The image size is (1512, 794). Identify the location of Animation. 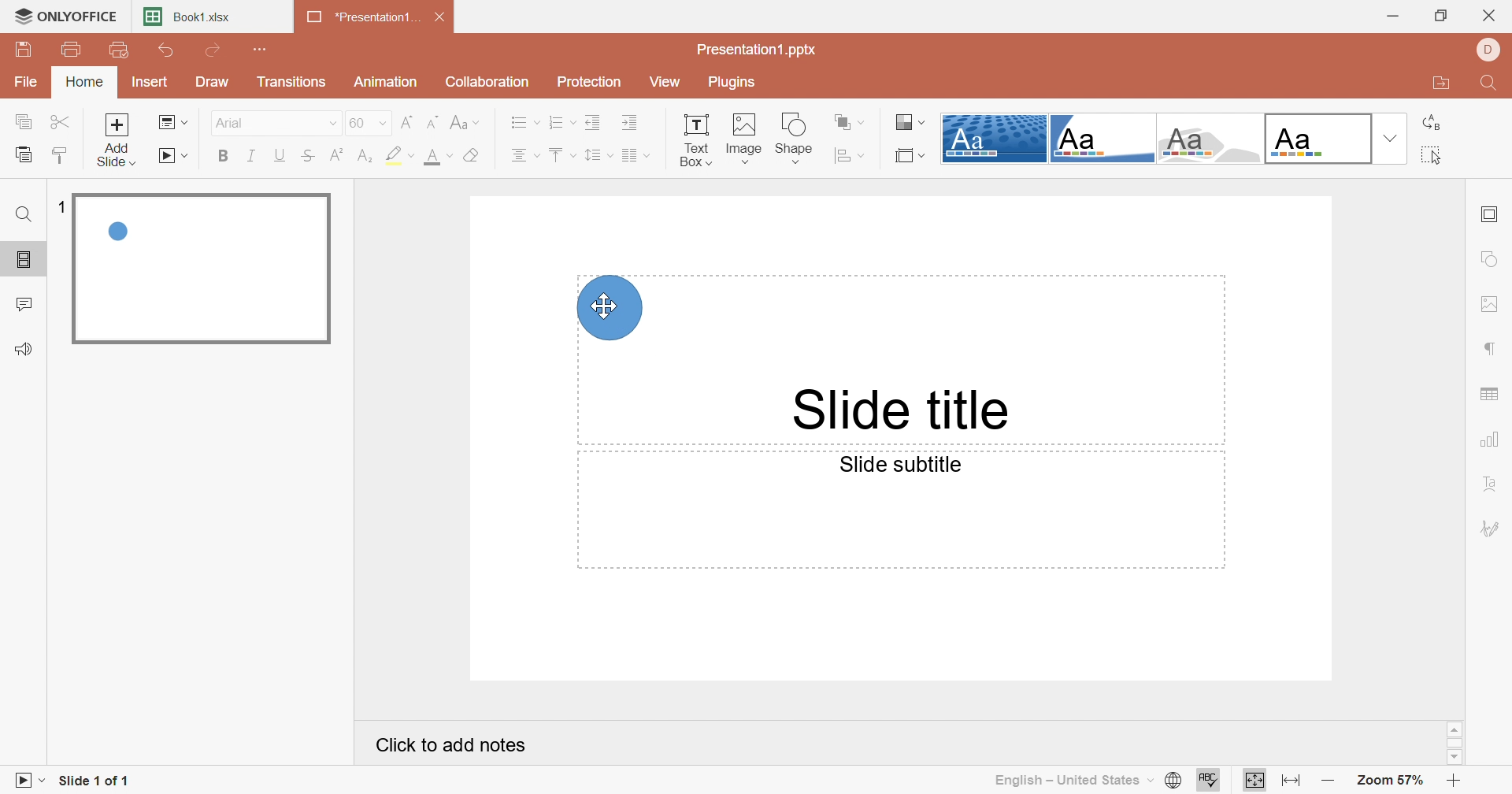
(387, 80).